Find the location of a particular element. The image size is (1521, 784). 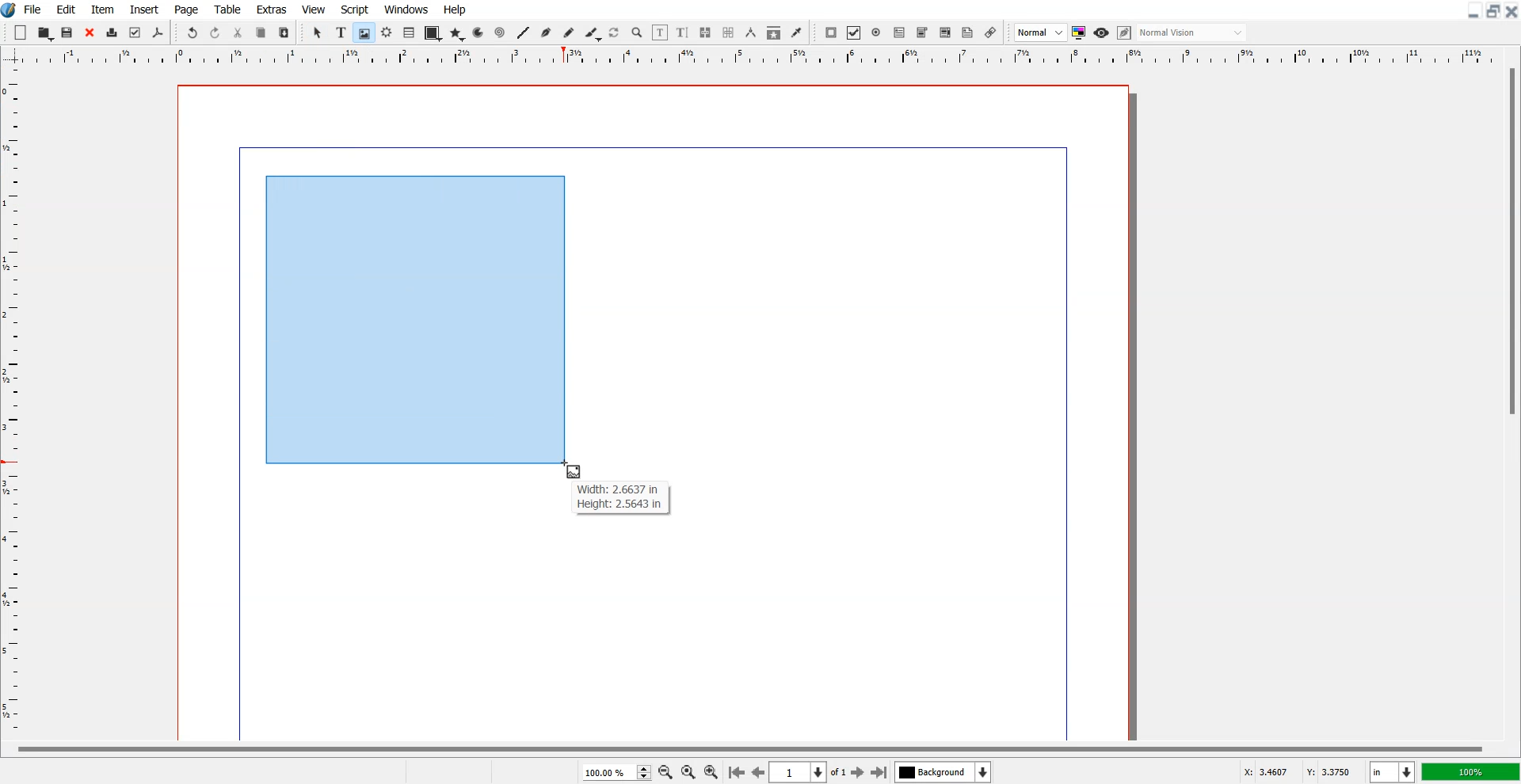

Select Zoom Level is located at coordinates (616, 771).